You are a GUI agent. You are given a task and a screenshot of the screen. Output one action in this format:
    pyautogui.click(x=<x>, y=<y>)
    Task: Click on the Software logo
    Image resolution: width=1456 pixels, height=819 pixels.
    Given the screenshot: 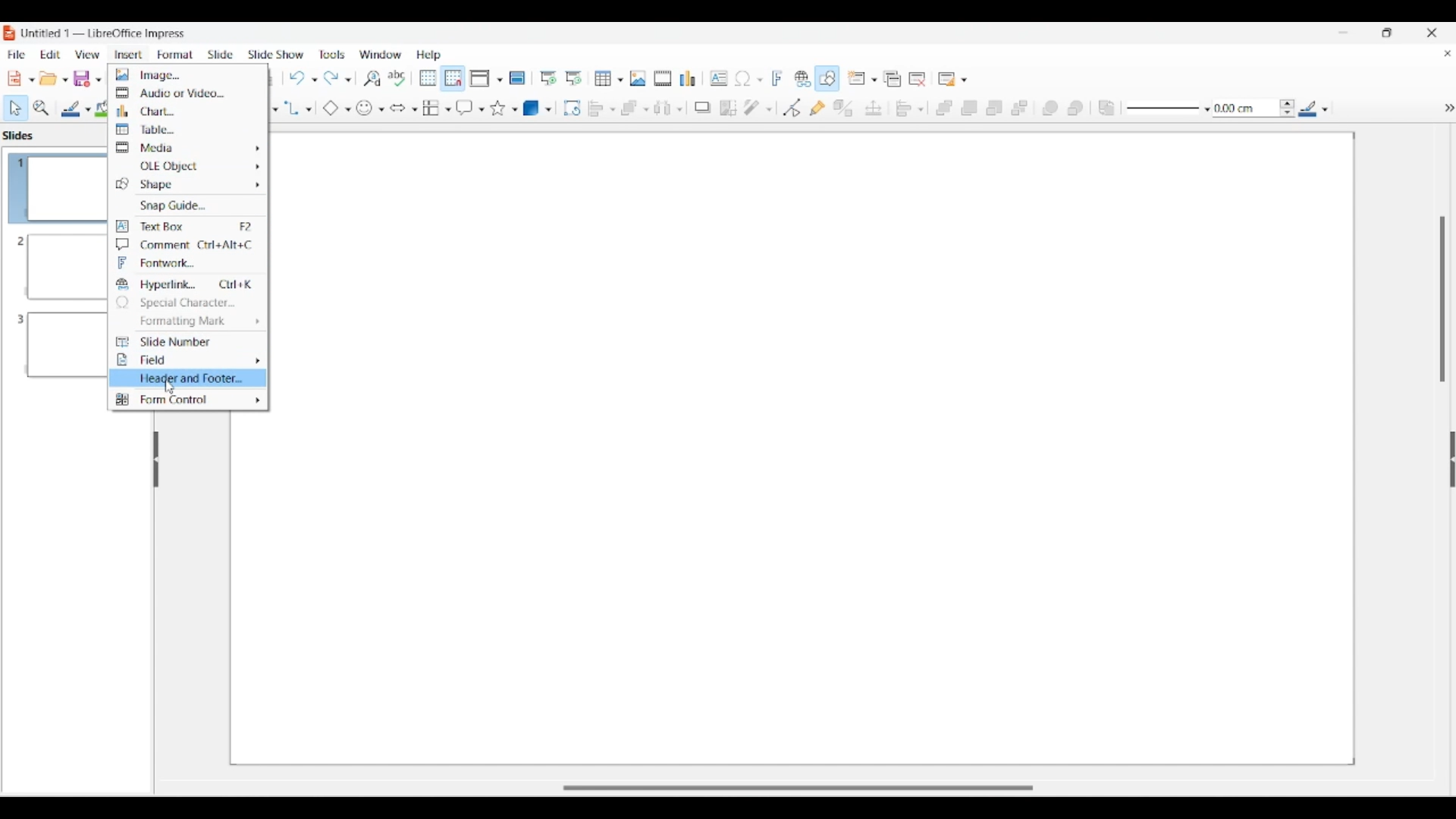 What is the action you would take?
    pyautogui.click(x=10, y=33)
    